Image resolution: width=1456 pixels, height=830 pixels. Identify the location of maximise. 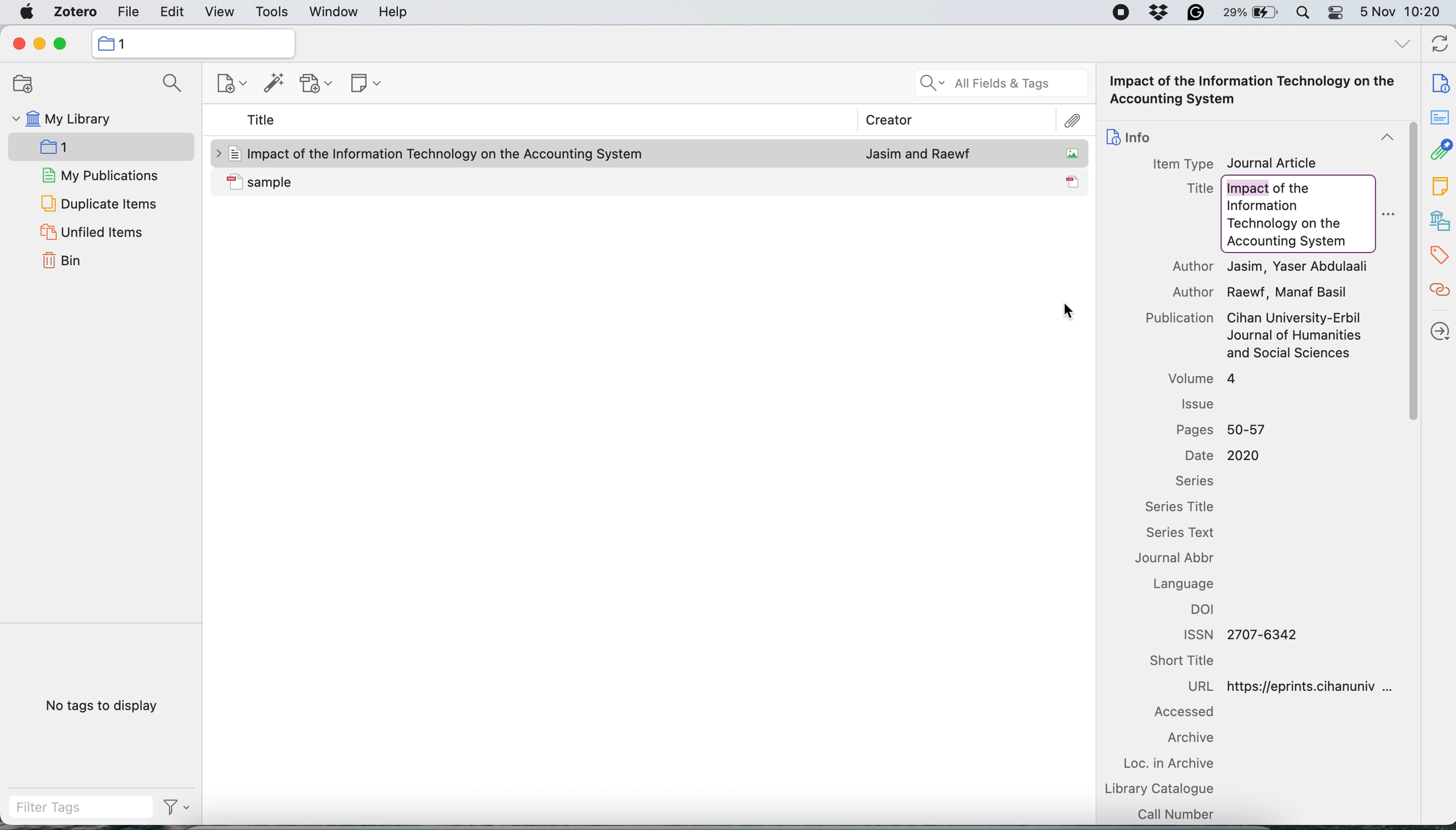
(61, 44).